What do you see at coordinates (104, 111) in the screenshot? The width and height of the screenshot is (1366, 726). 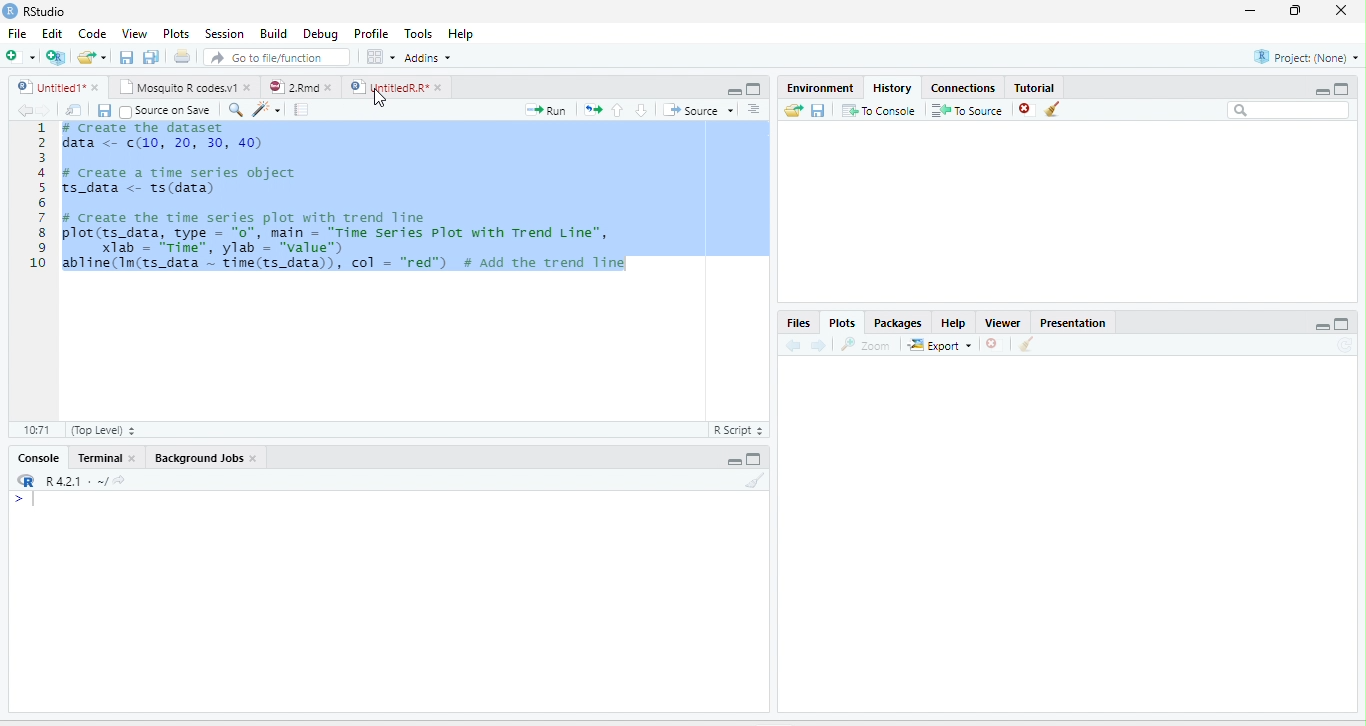 I see `Save current document` at bounding box center [104, 111].